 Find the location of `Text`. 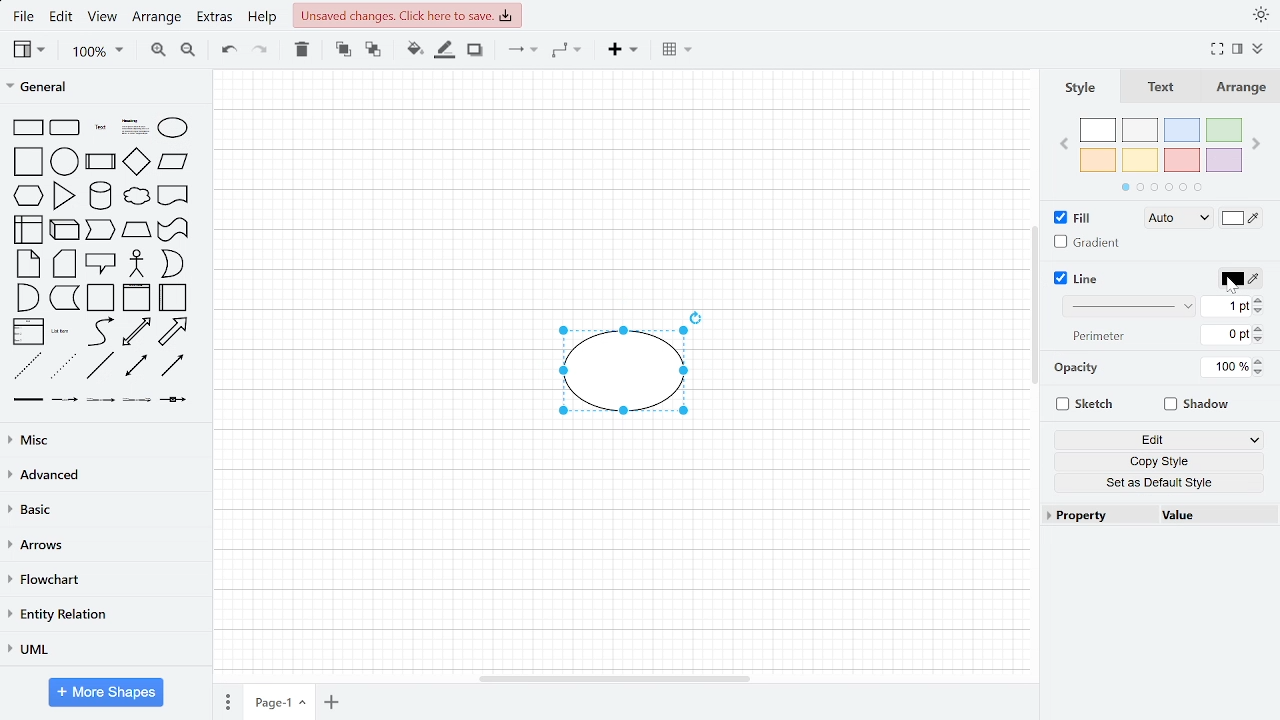

Text is located at coordinates (1162, 88).